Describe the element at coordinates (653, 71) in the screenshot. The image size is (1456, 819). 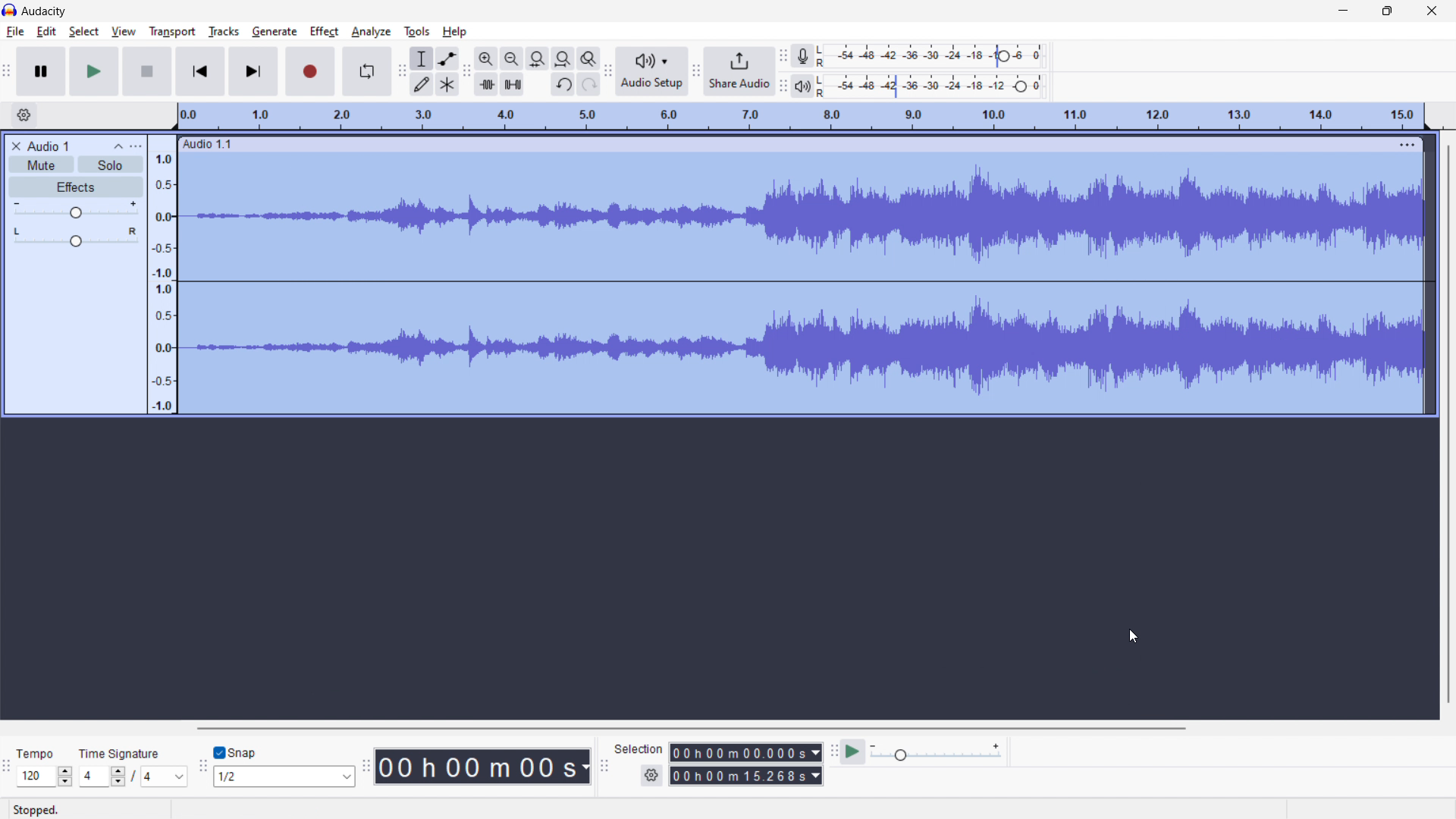
I see `audio setup` at that location.